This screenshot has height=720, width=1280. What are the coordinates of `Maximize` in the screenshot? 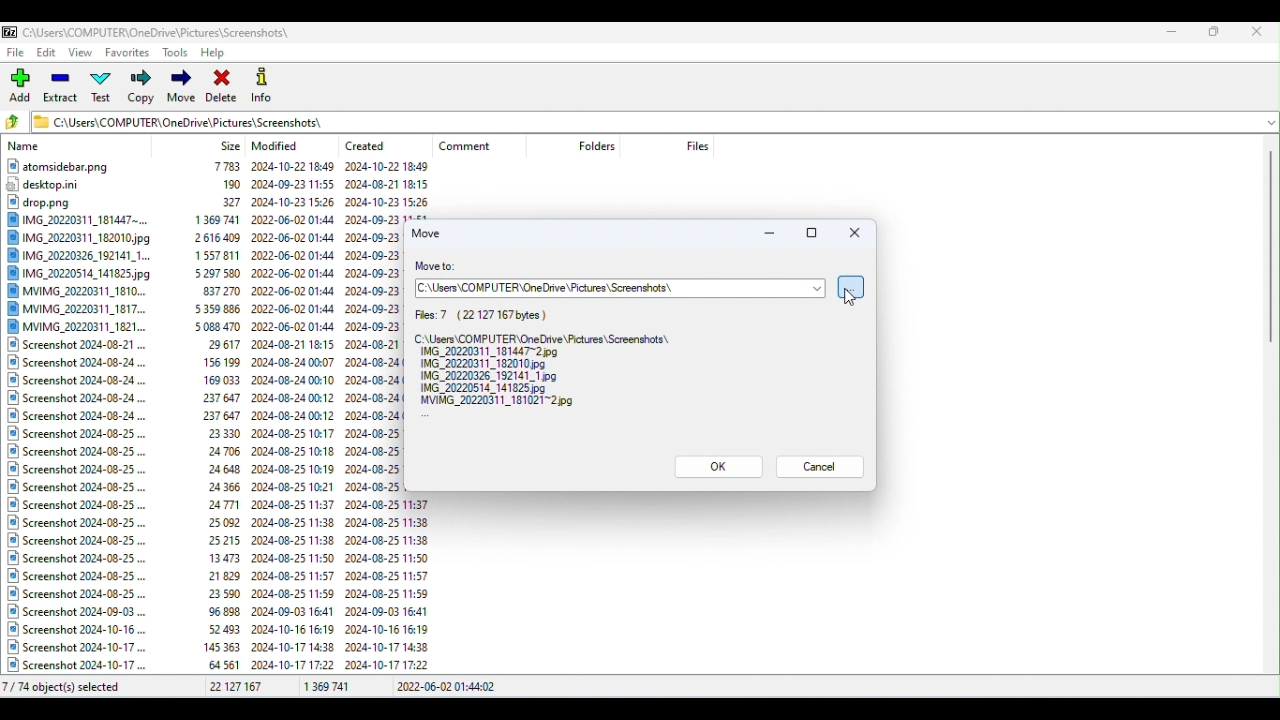 It's located at (810, 235).